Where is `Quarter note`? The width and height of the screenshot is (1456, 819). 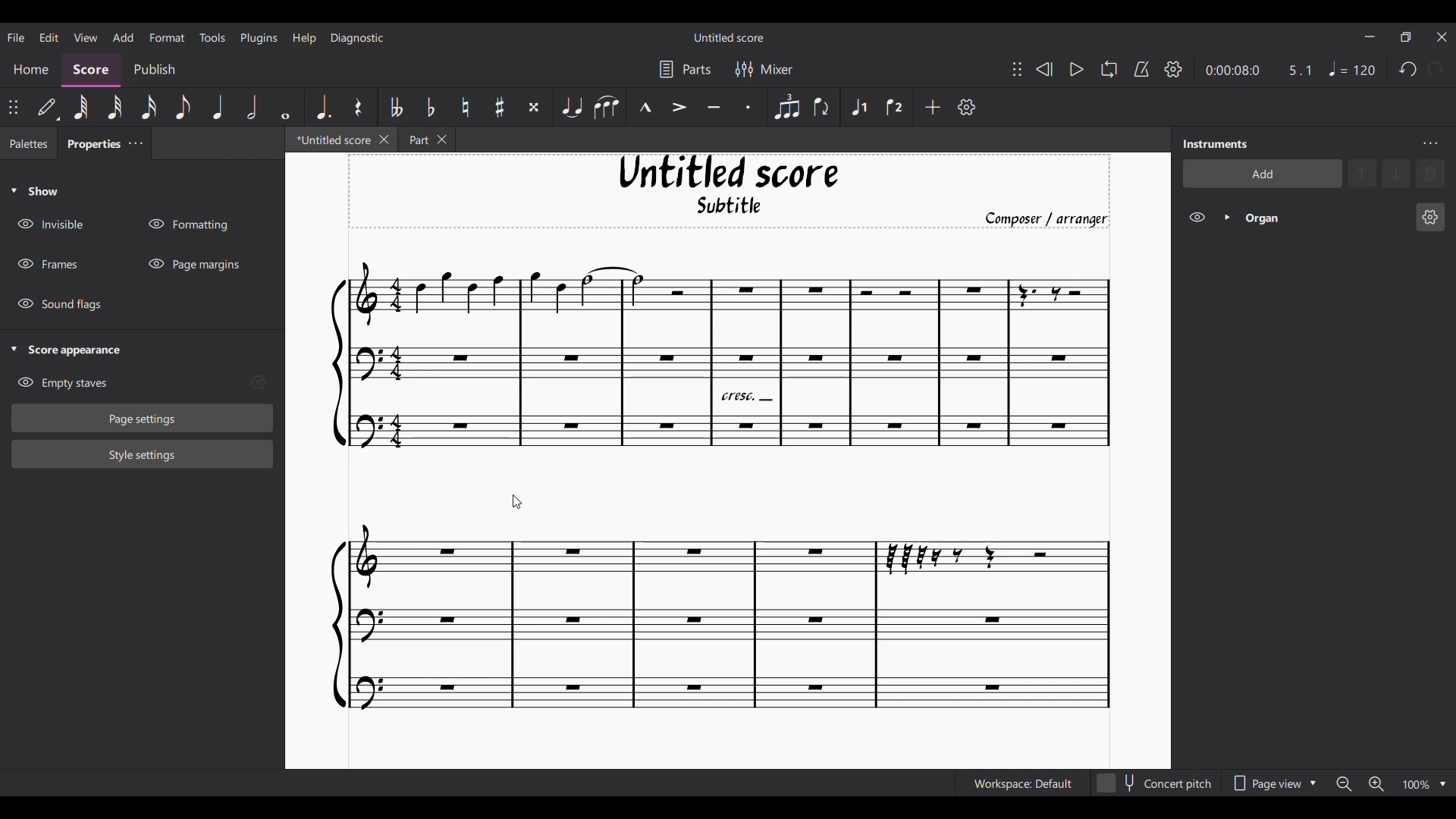
Quarter note is located at coordinates (218, 107).